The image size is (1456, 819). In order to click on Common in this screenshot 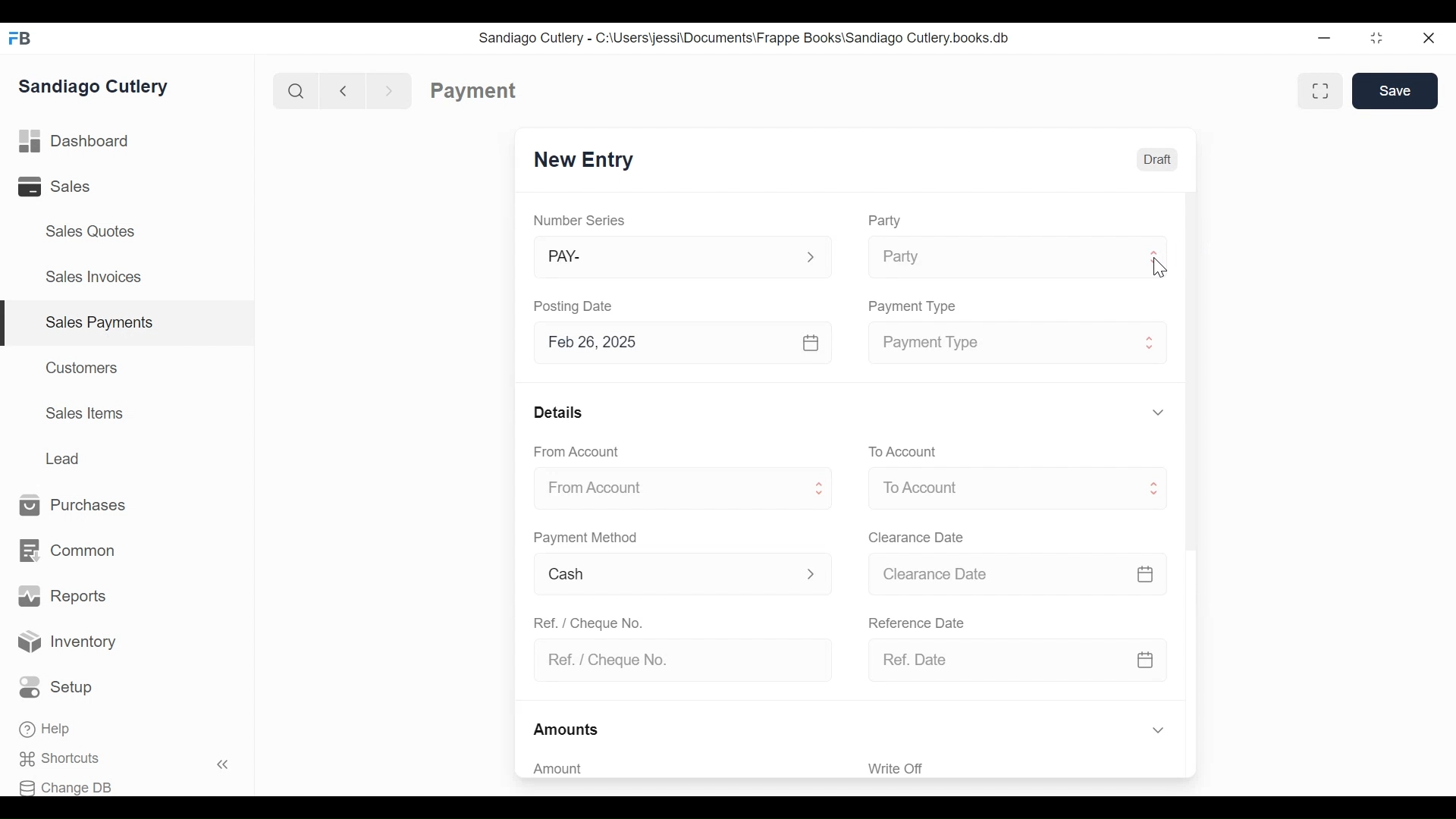, I will do `click(66, 551)`.